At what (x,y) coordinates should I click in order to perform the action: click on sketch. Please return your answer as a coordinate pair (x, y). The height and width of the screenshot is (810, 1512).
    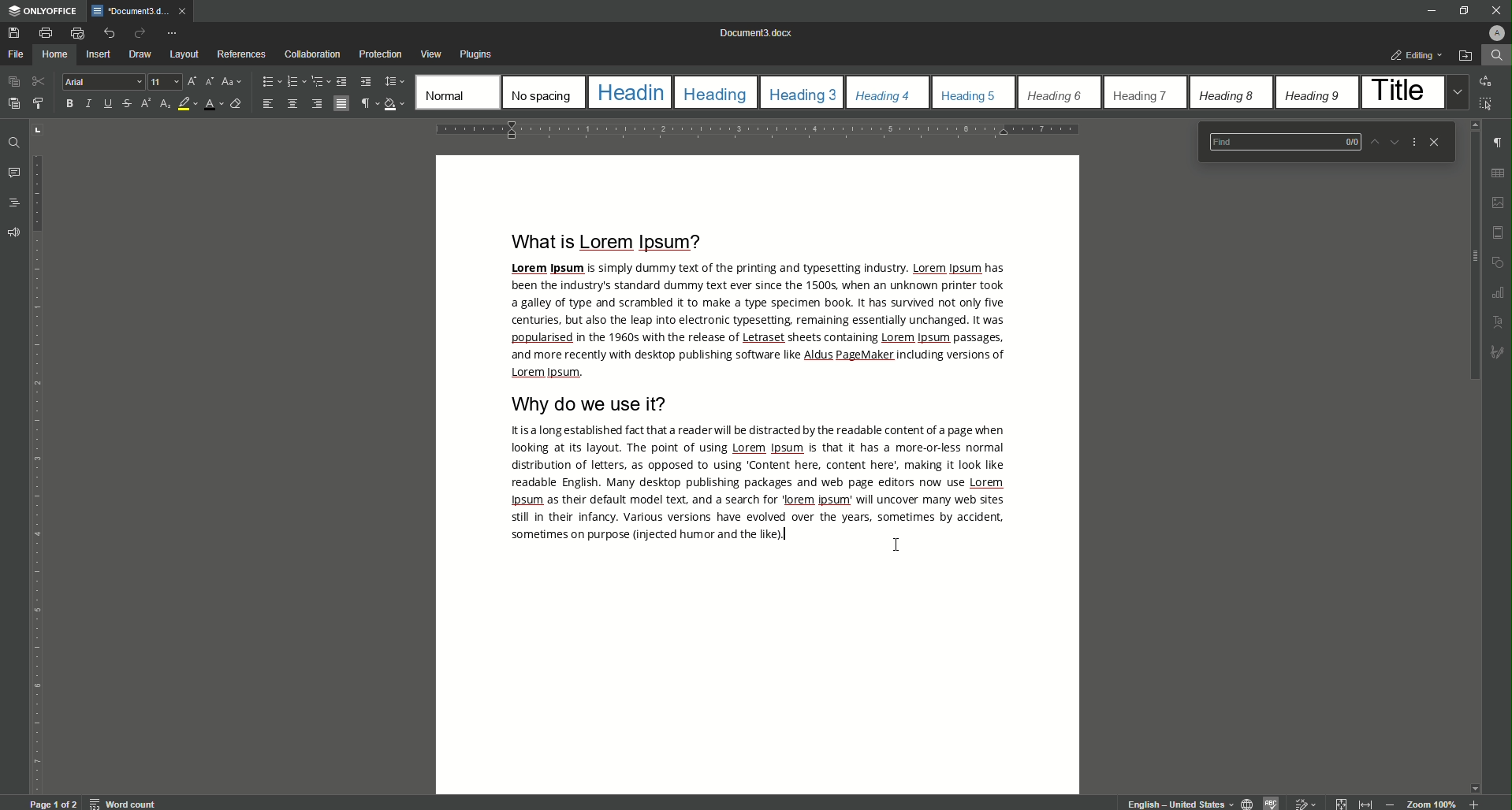
    Looking at the image, I should click on (1499, 352).